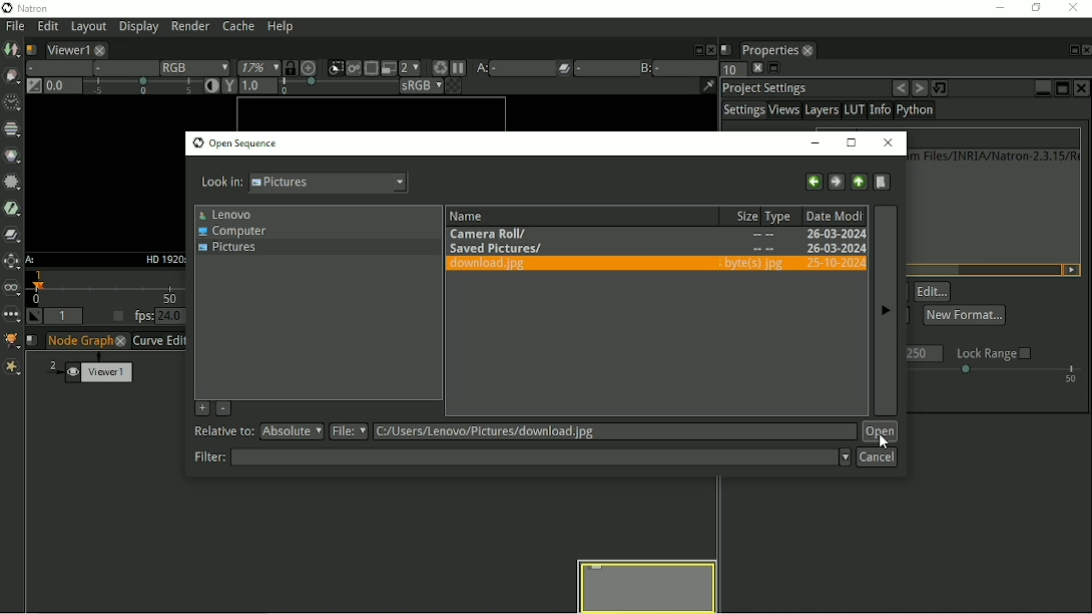 The height and width of the screenshot is (614, 1092). I want to click on Layout, so click(88, 27).